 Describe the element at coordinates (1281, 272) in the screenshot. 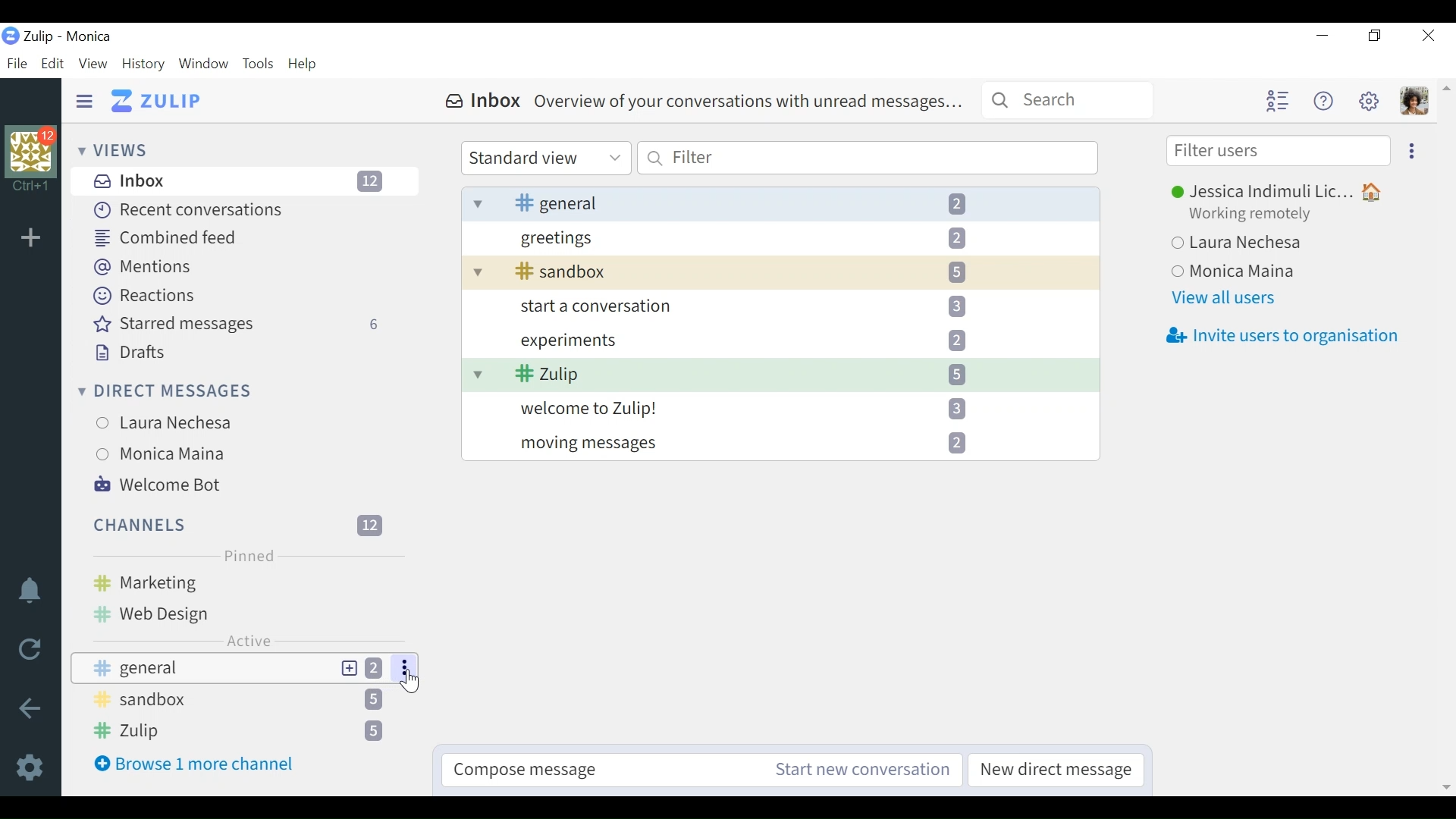

I see `Monica Maina` at that location.